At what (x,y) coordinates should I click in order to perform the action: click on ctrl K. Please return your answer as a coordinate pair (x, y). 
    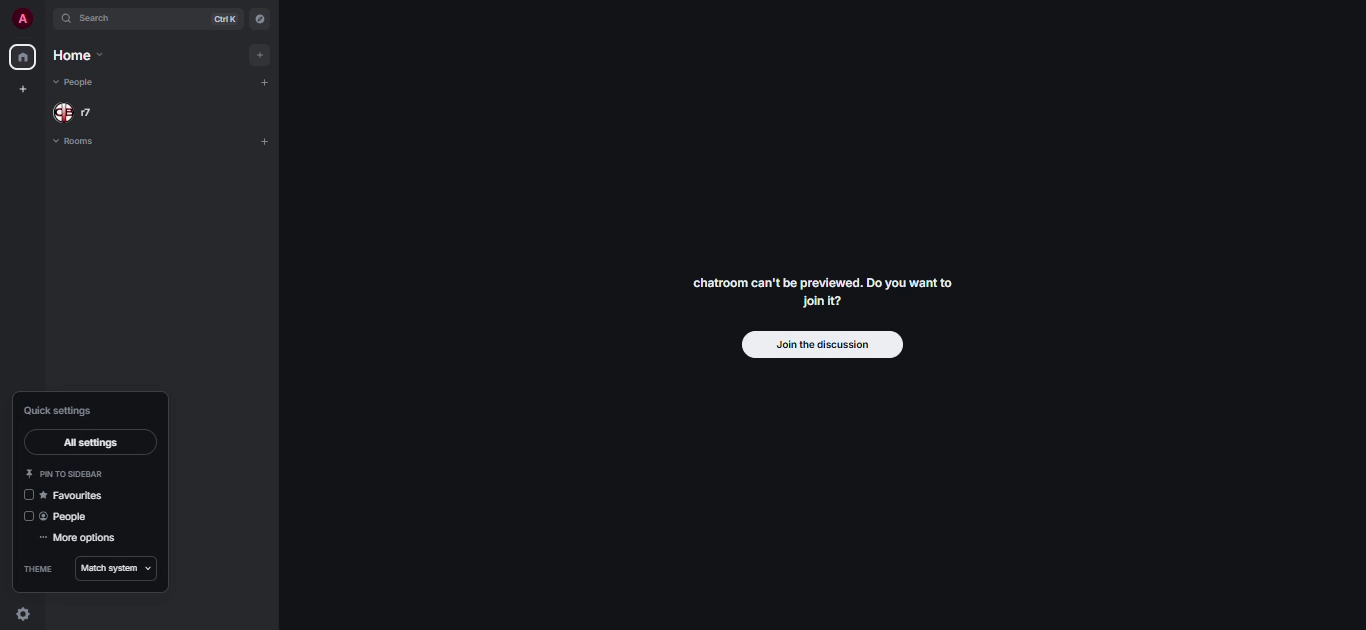
    Looking at the image, I should click on (220, 20).